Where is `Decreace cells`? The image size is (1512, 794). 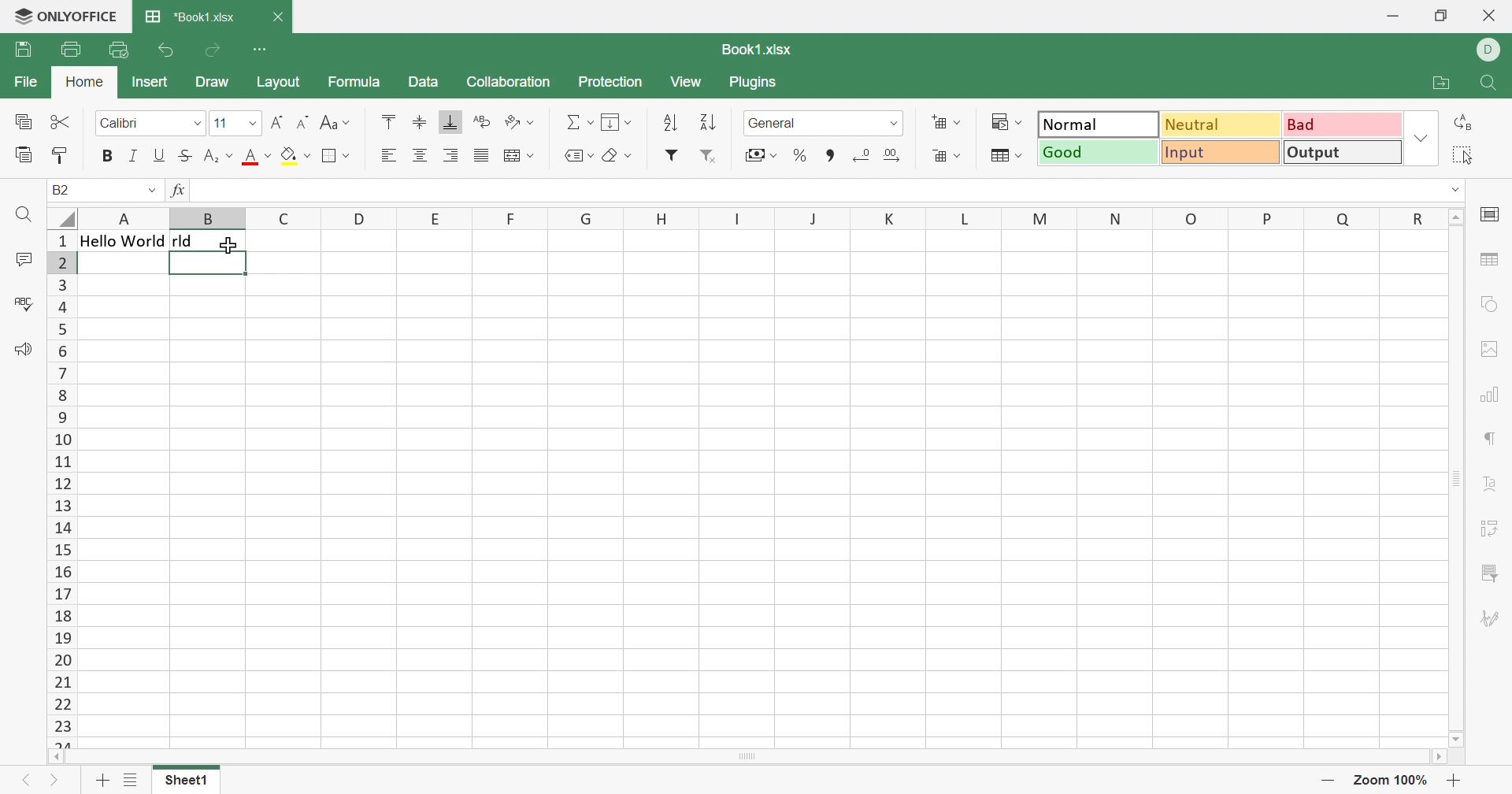 Decreace cells is located at coordinates (946, 153).